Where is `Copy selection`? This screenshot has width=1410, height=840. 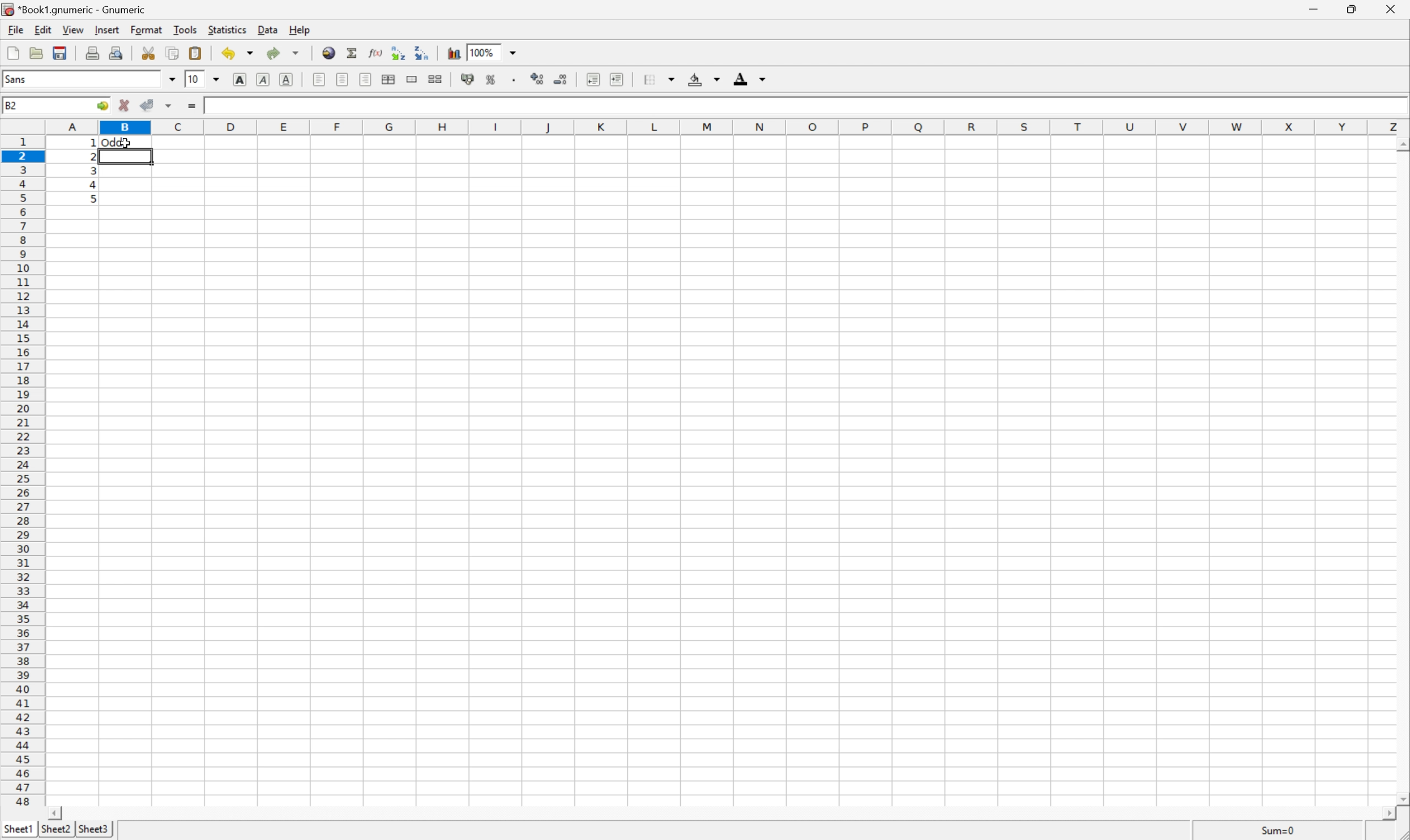 Copy selection is located at coordinates (172, 53).